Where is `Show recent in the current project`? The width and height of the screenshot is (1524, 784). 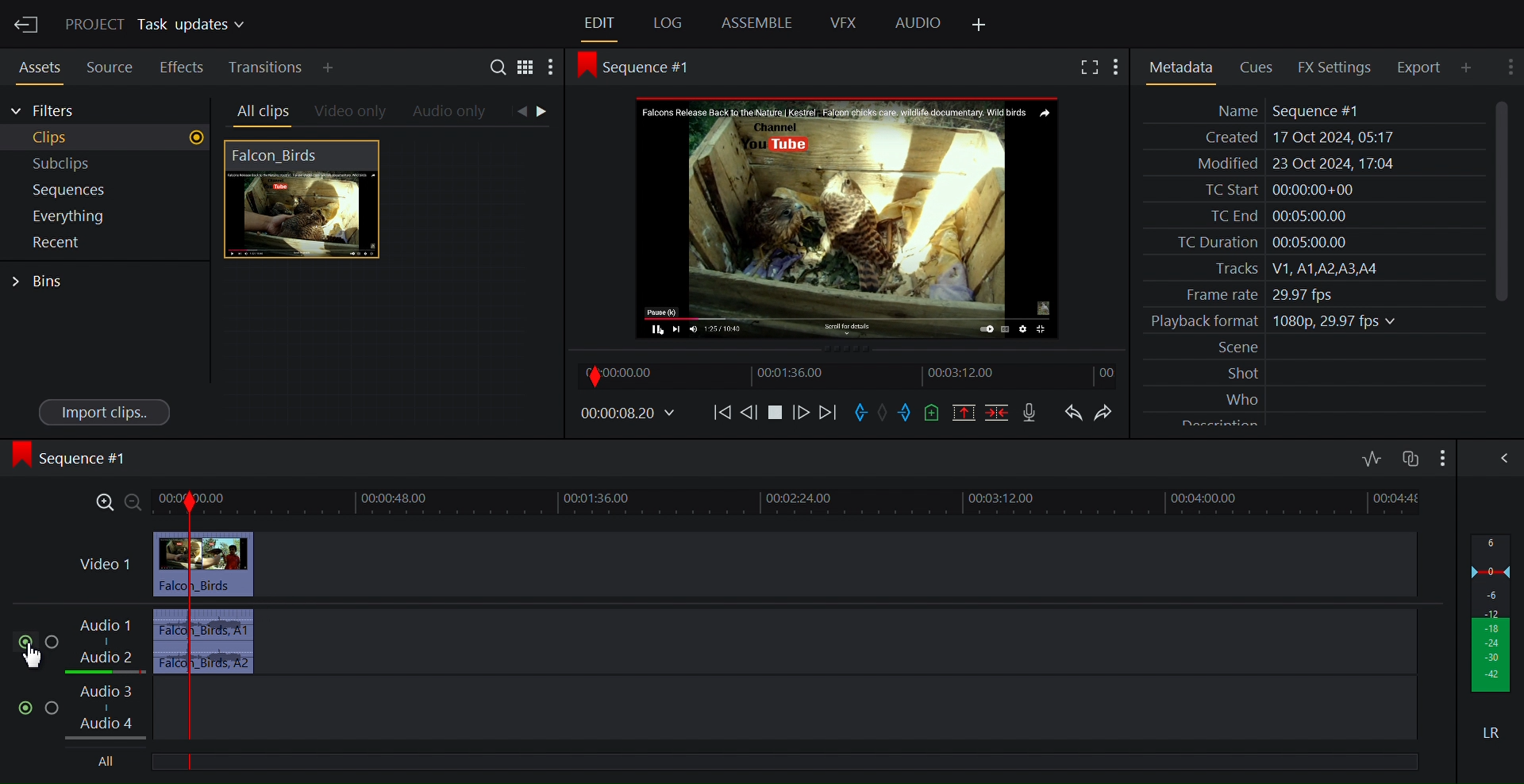 Show recent in the current project is located at coordinates (103, 243).